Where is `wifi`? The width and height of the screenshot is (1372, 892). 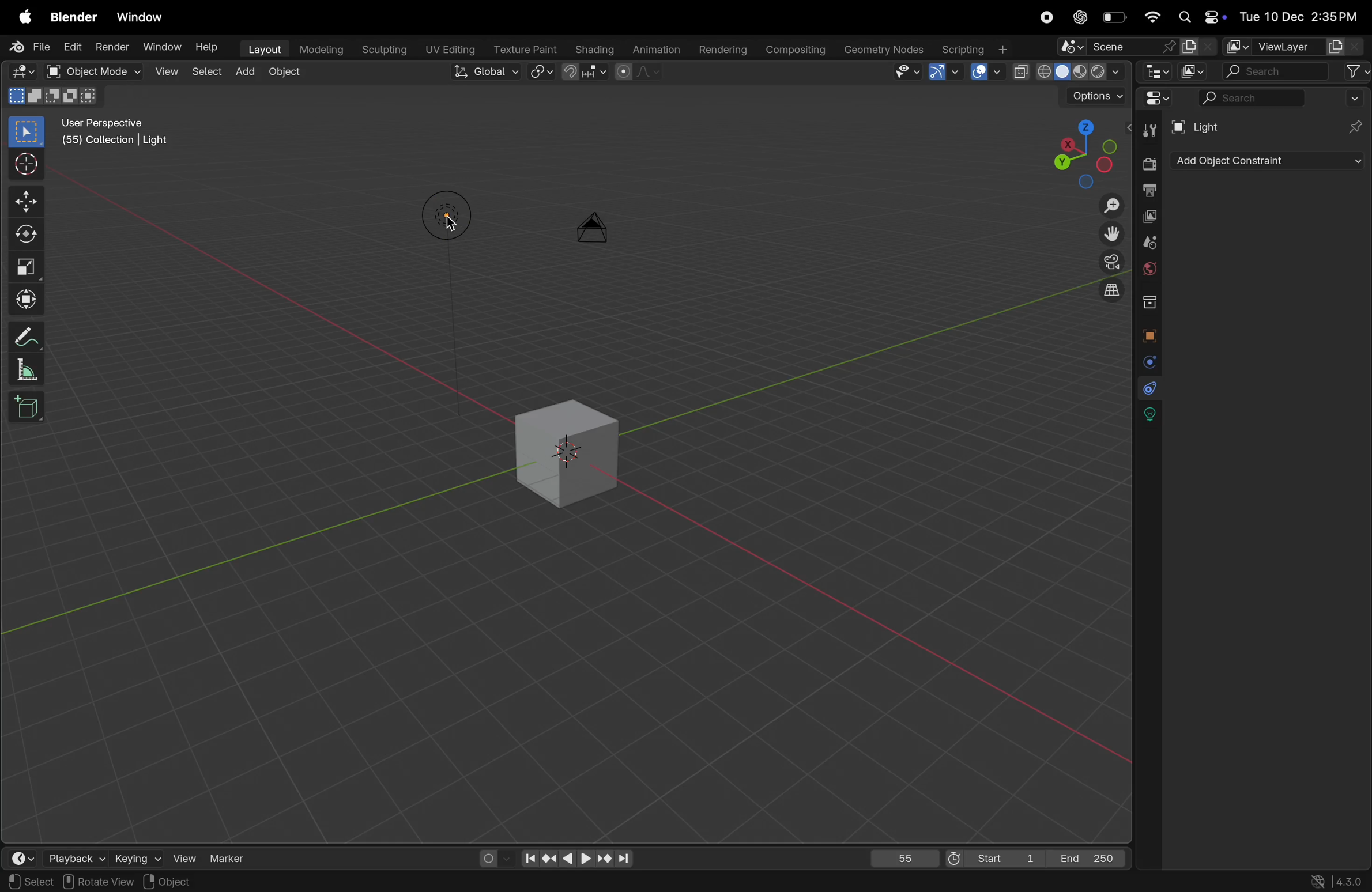
wifi is located at coordinates (1149, 16).